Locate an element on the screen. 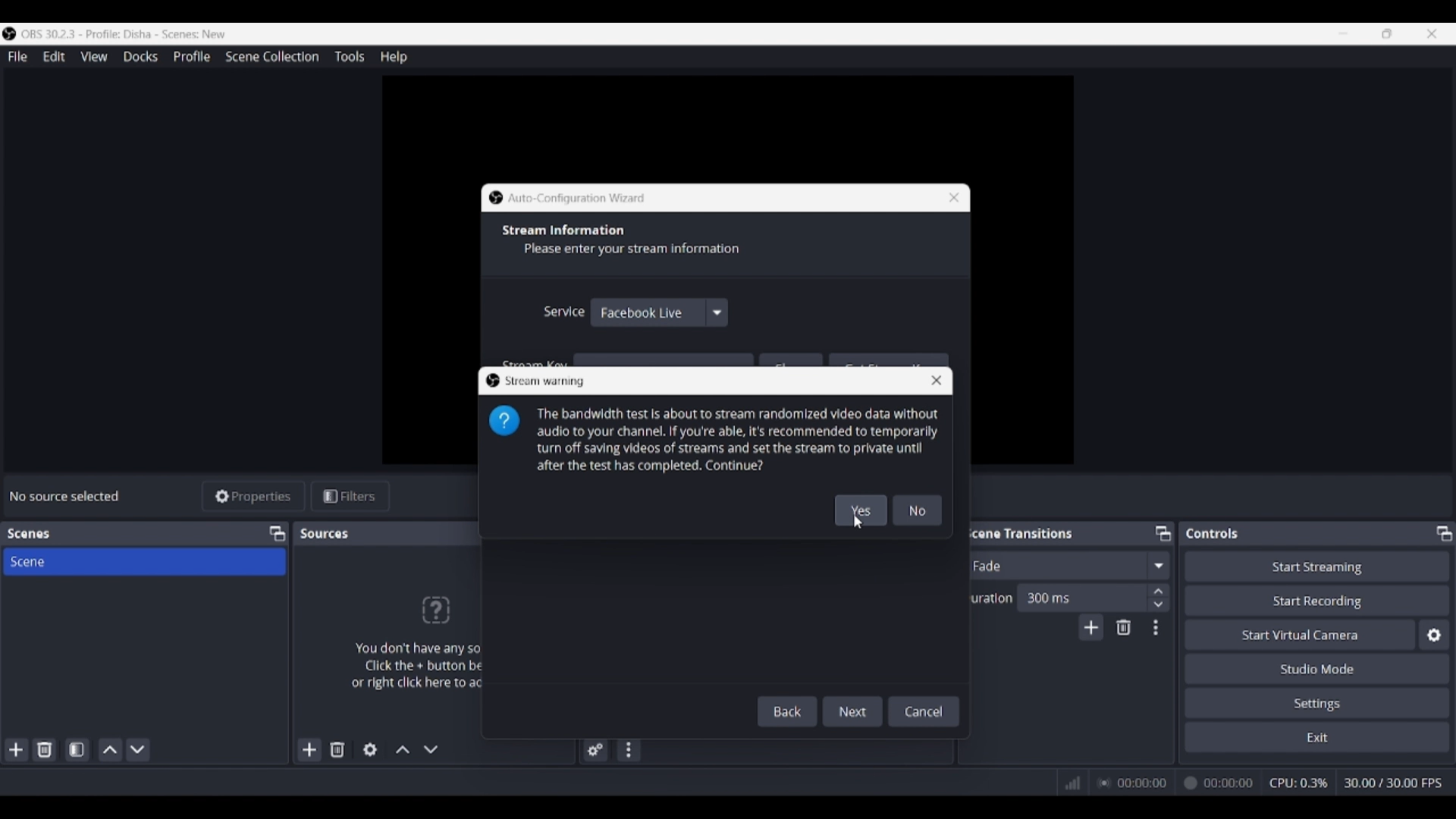 This screenshot has width=1456, height=819. Cursor is located at coordinates (854, 525).